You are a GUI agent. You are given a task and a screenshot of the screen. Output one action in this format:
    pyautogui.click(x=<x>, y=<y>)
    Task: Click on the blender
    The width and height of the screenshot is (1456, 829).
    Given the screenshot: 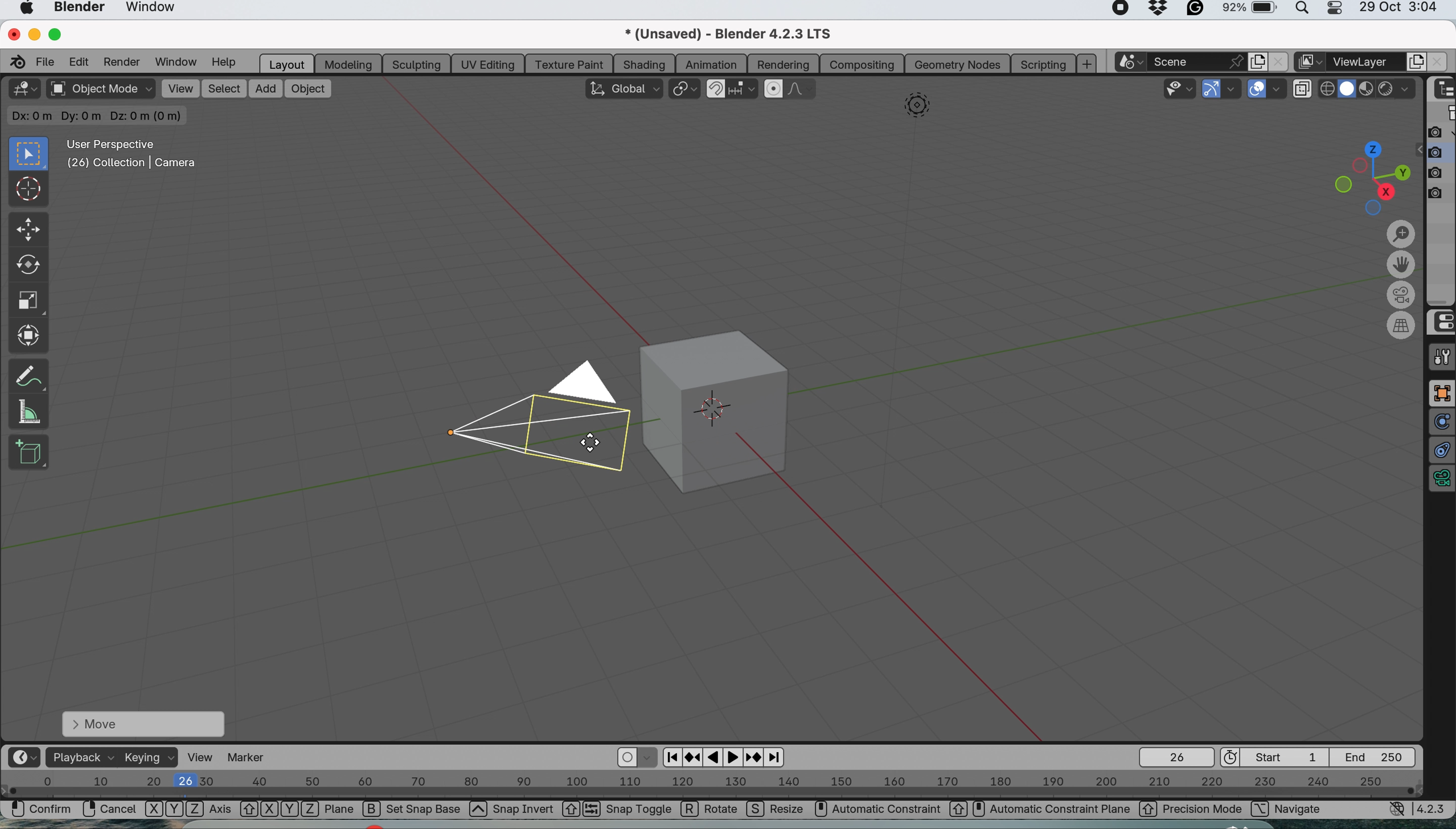 What is the action you would take?
    pyautogui.click(x=80, y=9)
    